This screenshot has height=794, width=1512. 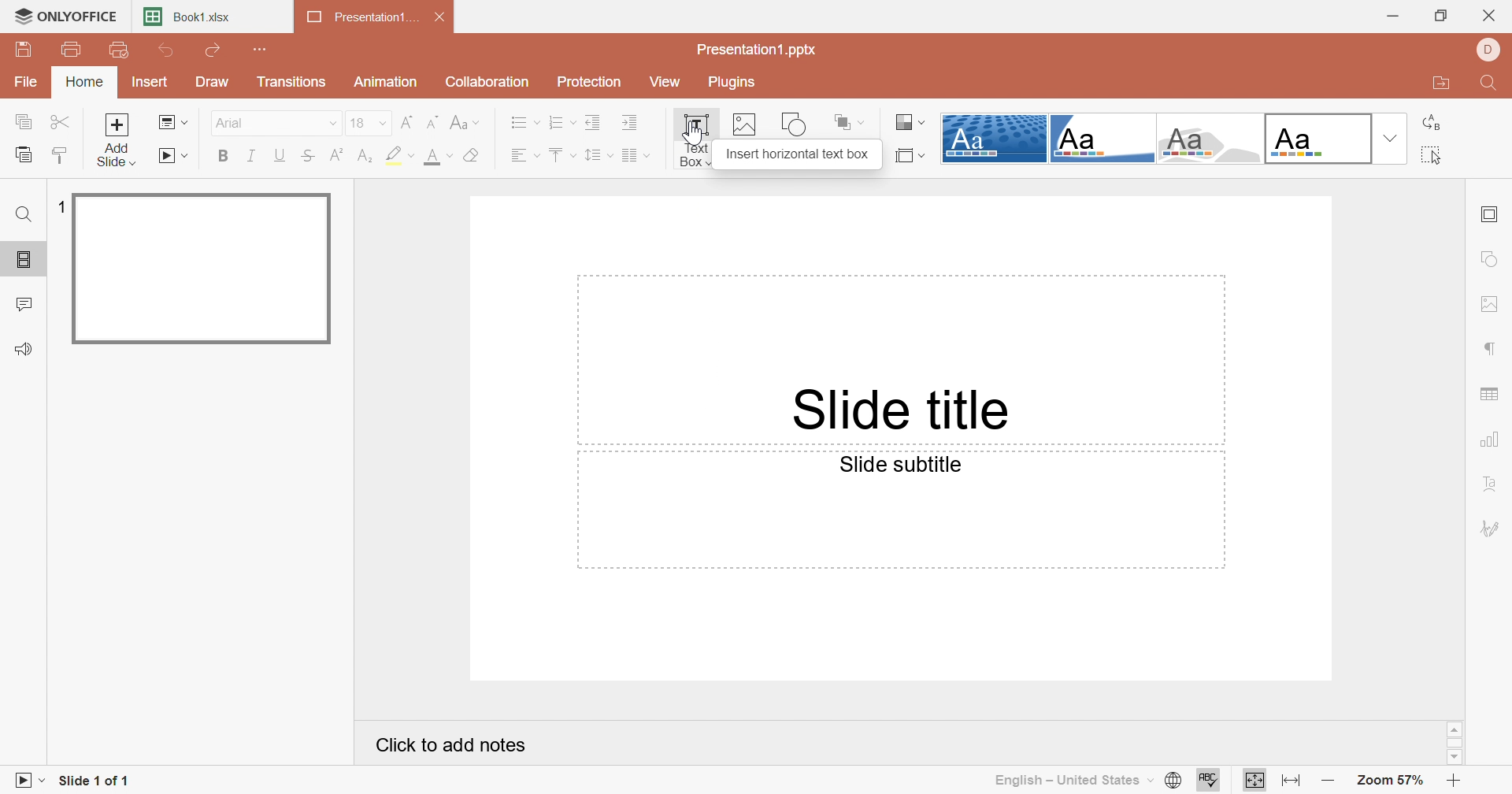 What do you see at coordinates (1494, 258) in the screenshot?
I see `Shape settings` at bounding box center [1494, 258].